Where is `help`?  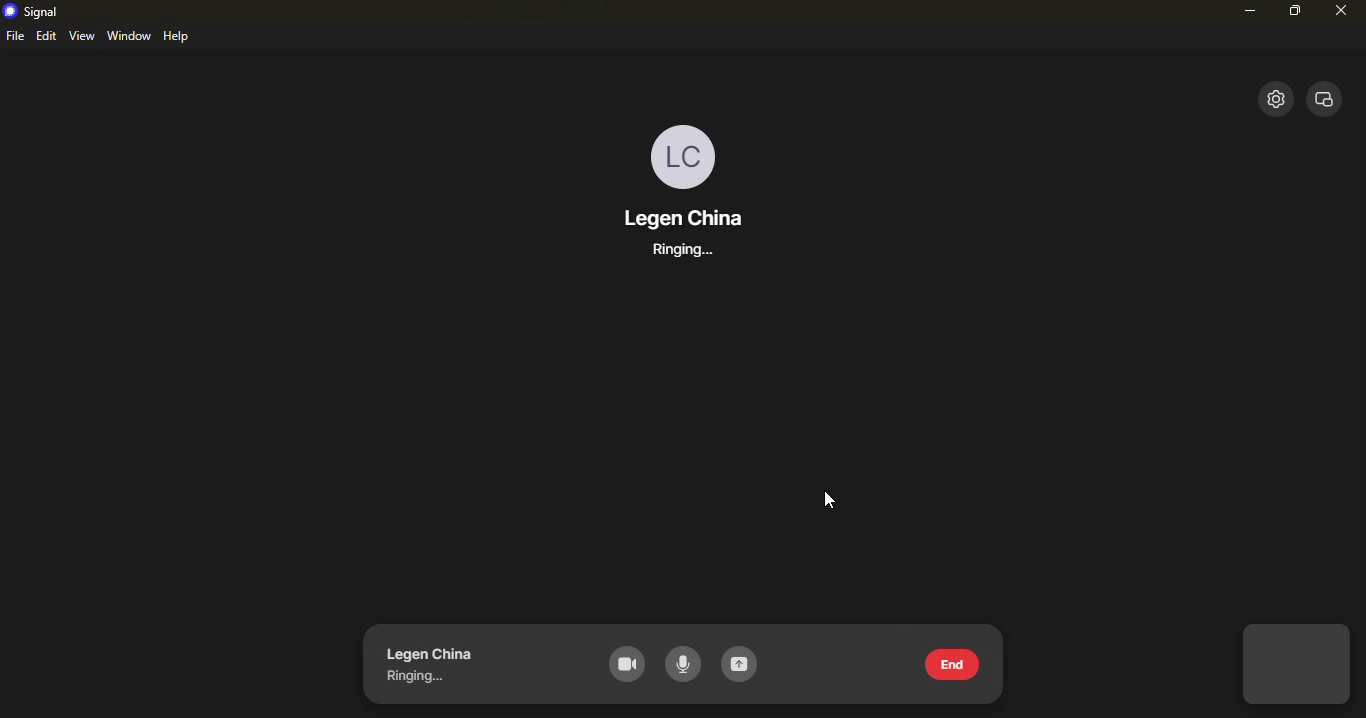 help is located at coordinates (178, 37).